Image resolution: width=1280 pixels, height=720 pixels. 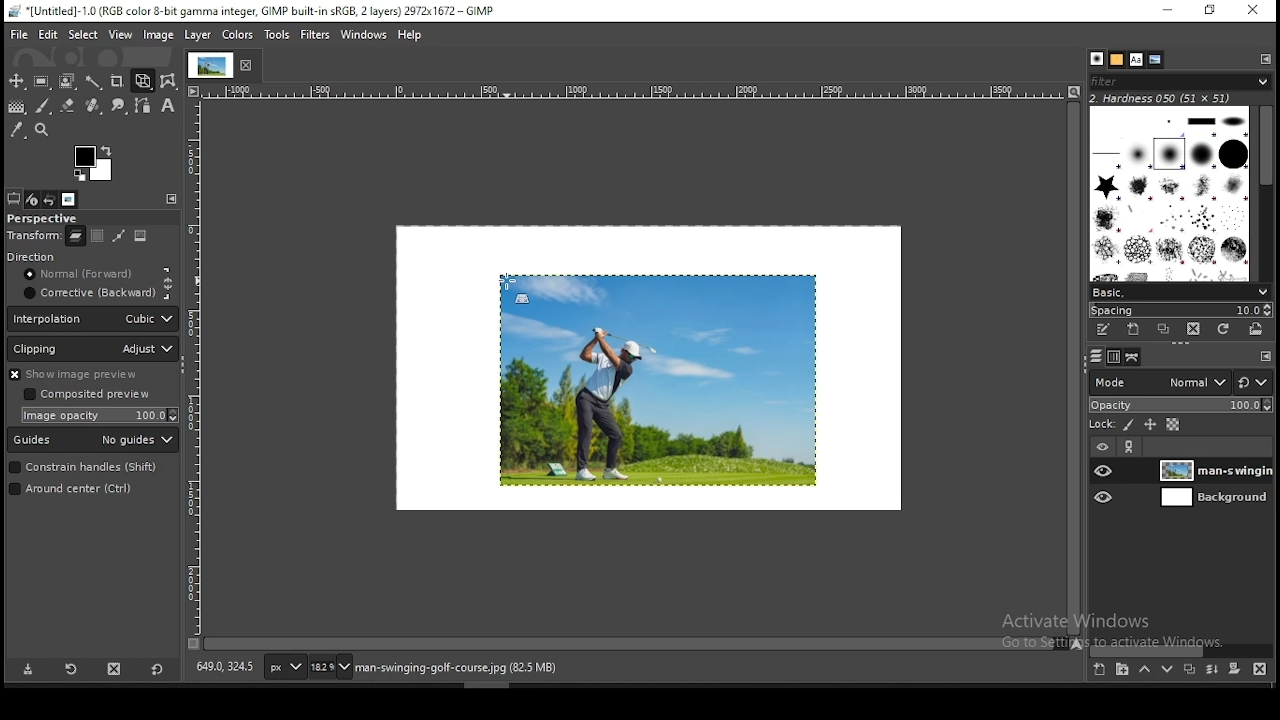 I want to click on show image preview, so click(x=88, y=374).